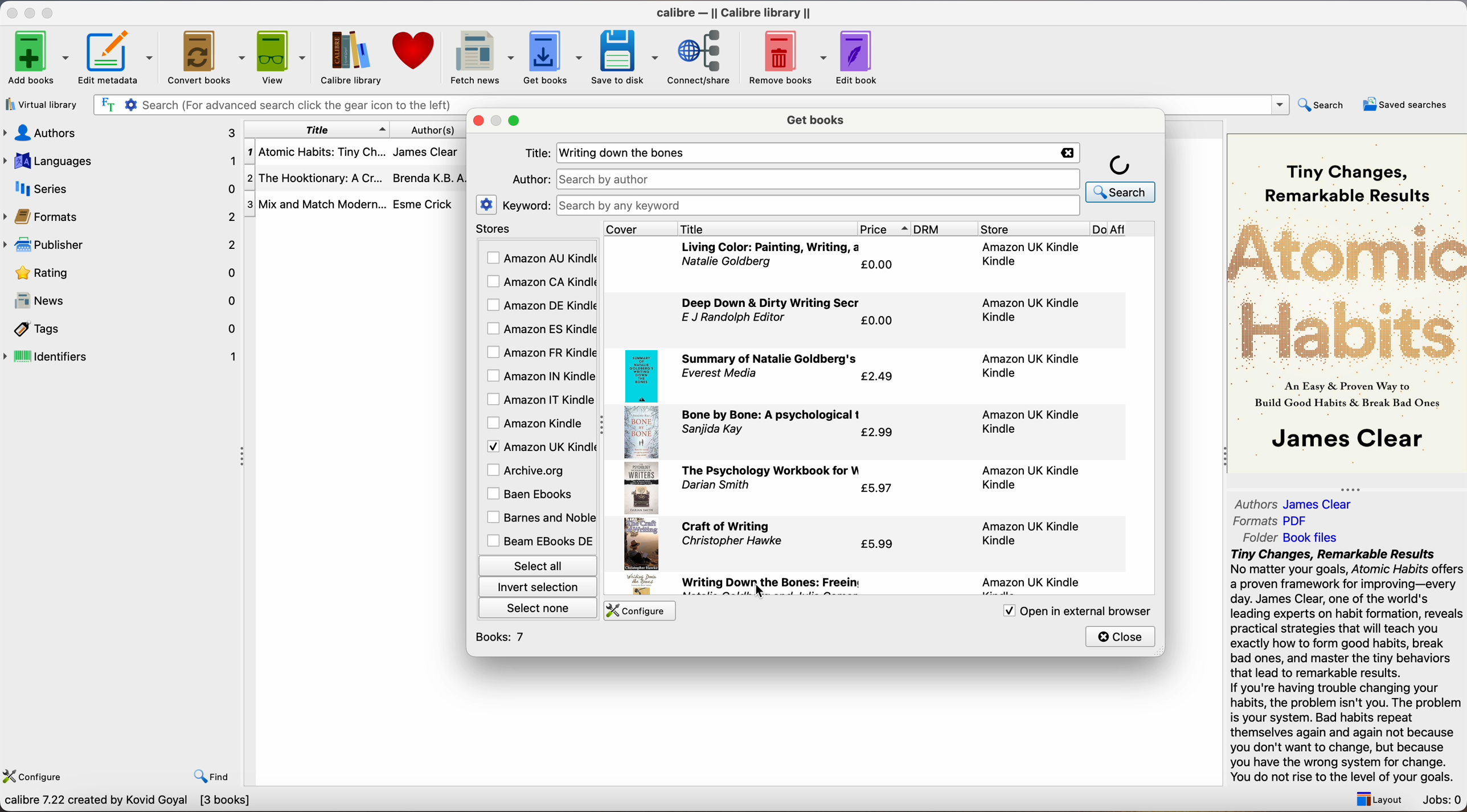 This screenshot has height=812, width=1467. I want to click on Formats PDF, so click(1272, 521).